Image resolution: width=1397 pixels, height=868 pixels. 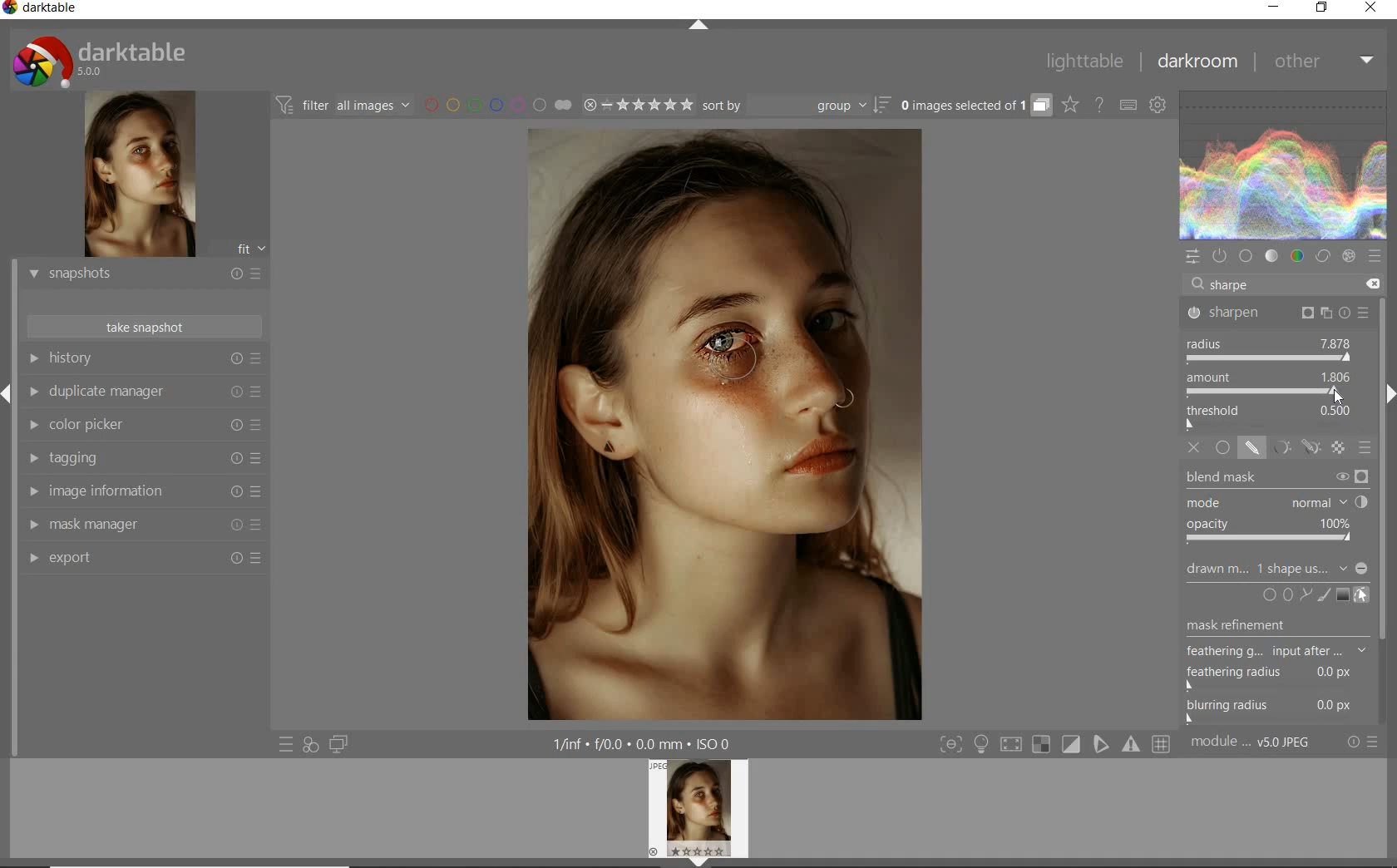 I want to click on MODE, so click(x=1276, y=504).